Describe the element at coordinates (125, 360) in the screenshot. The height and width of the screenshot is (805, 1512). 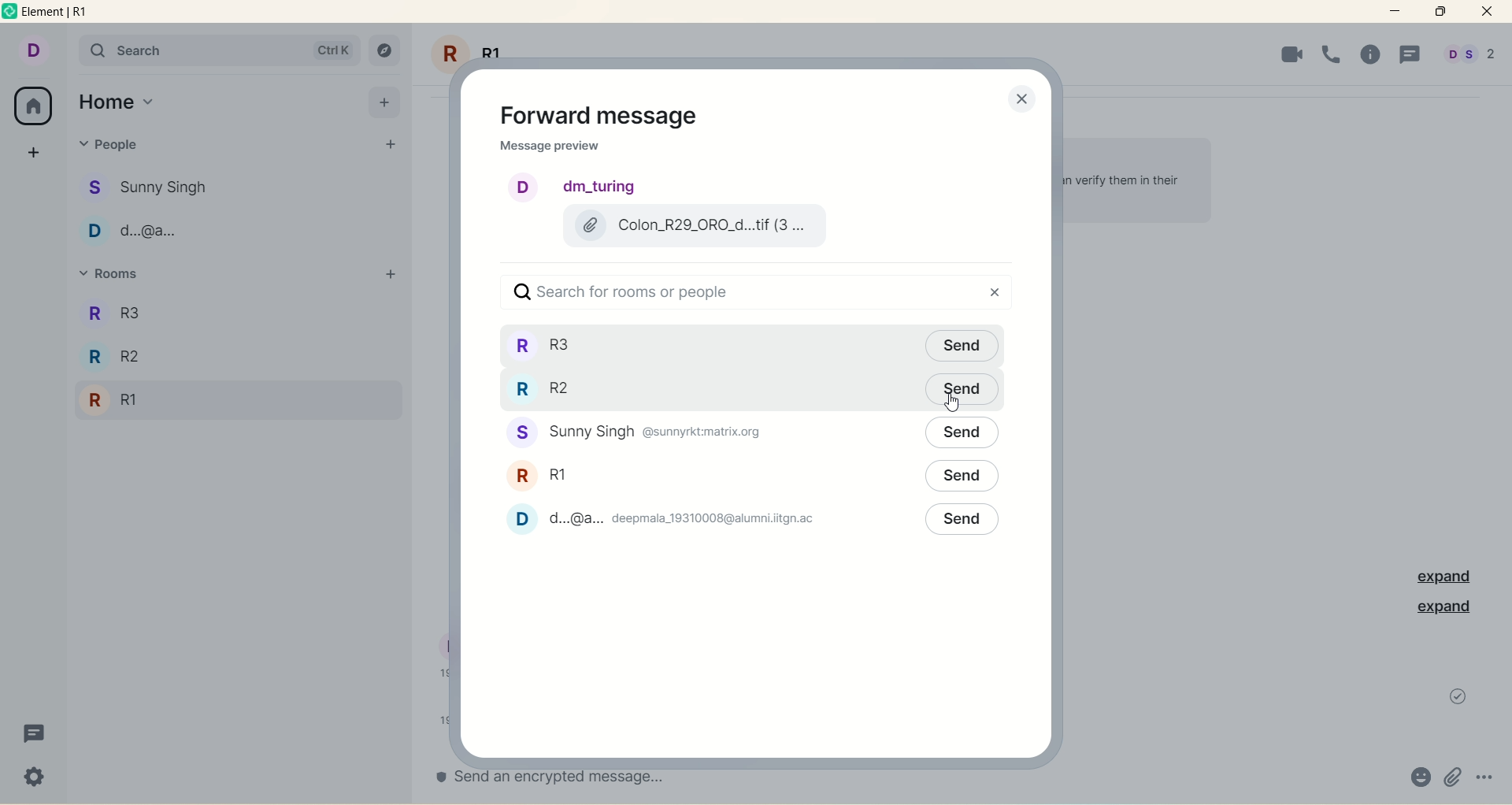
I see `R2` at that location.